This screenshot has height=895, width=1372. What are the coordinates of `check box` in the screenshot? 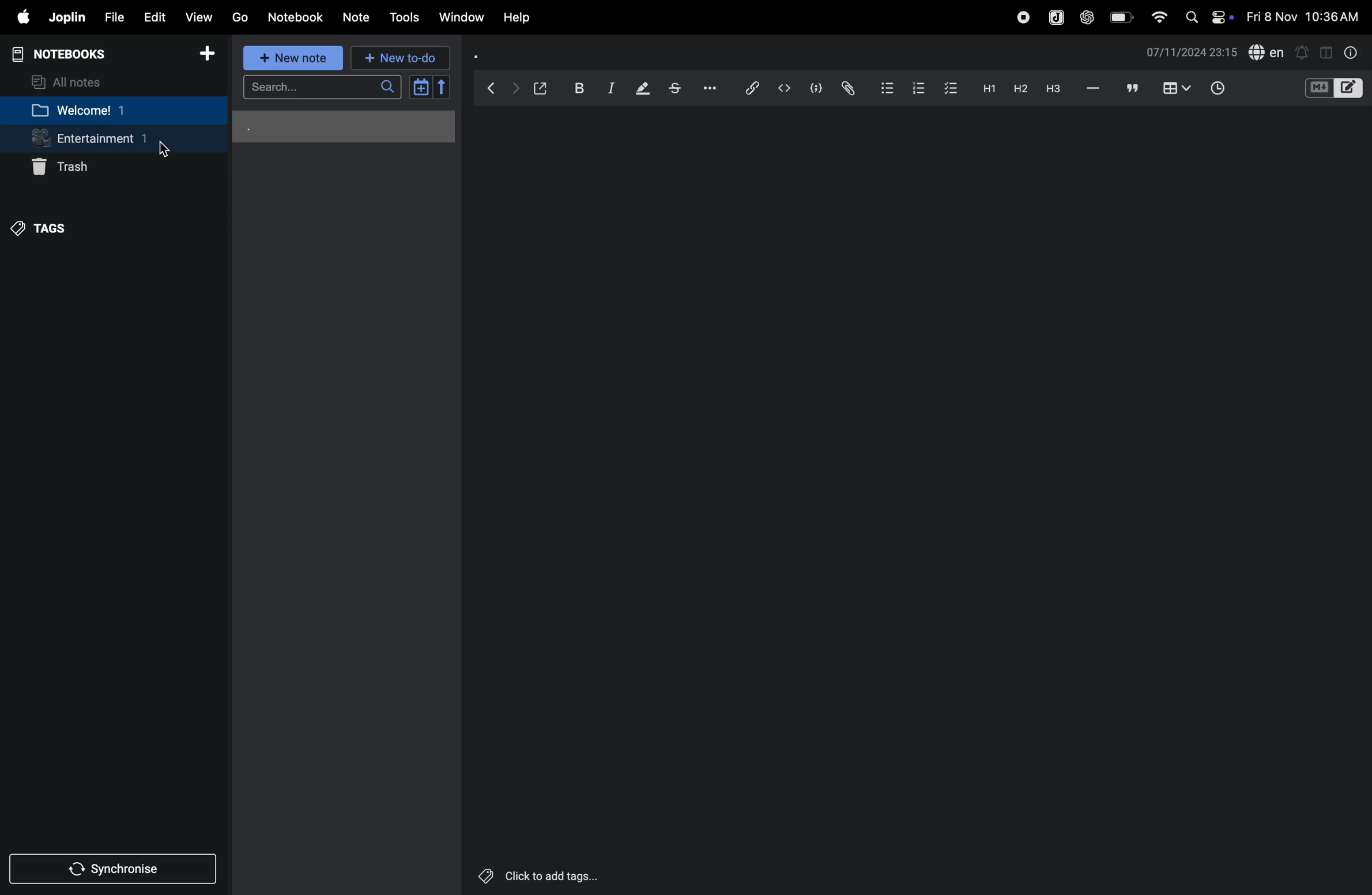 It's located at (949, 87).